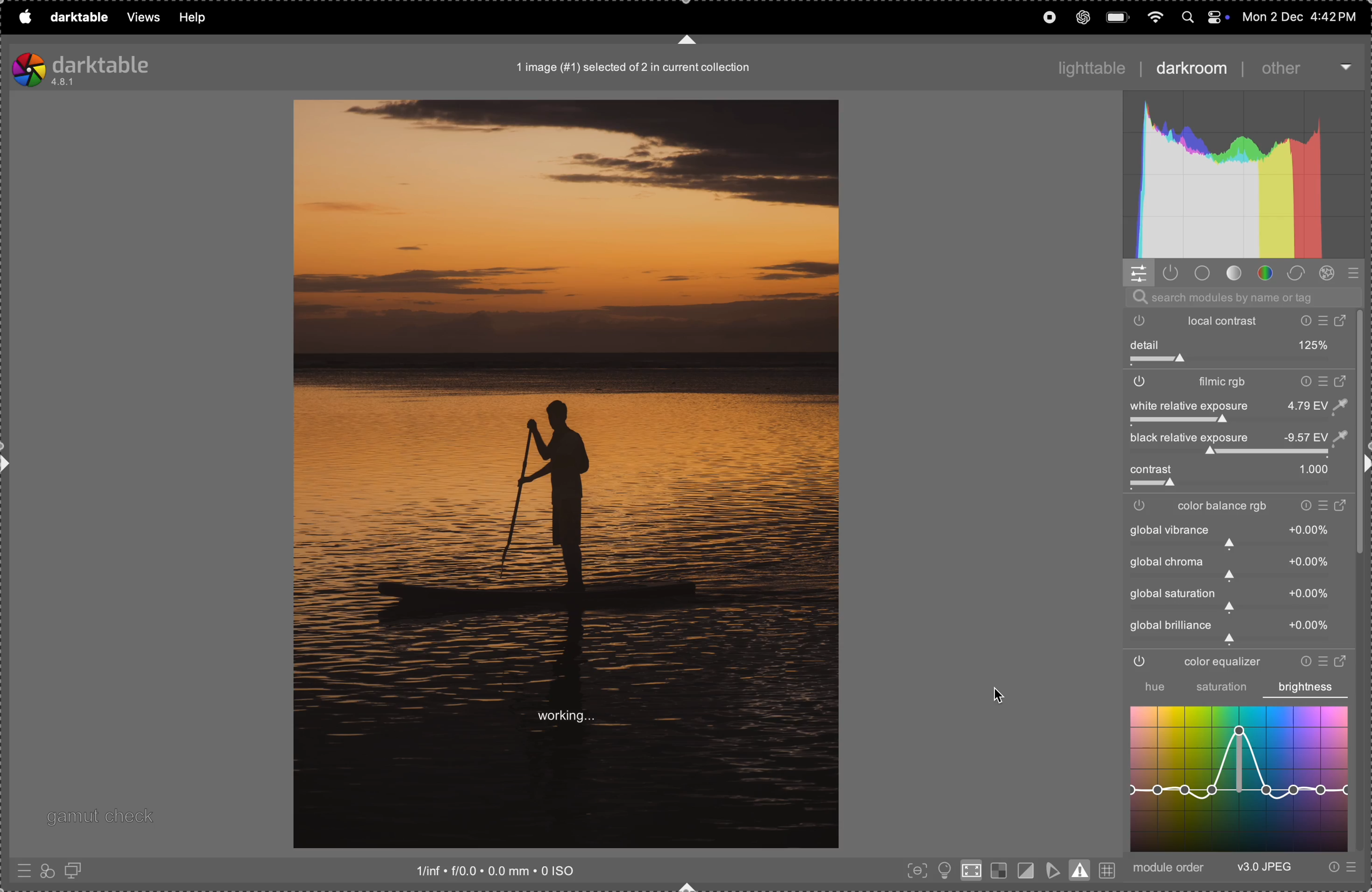  I want to click on record, so click(1047, 17).